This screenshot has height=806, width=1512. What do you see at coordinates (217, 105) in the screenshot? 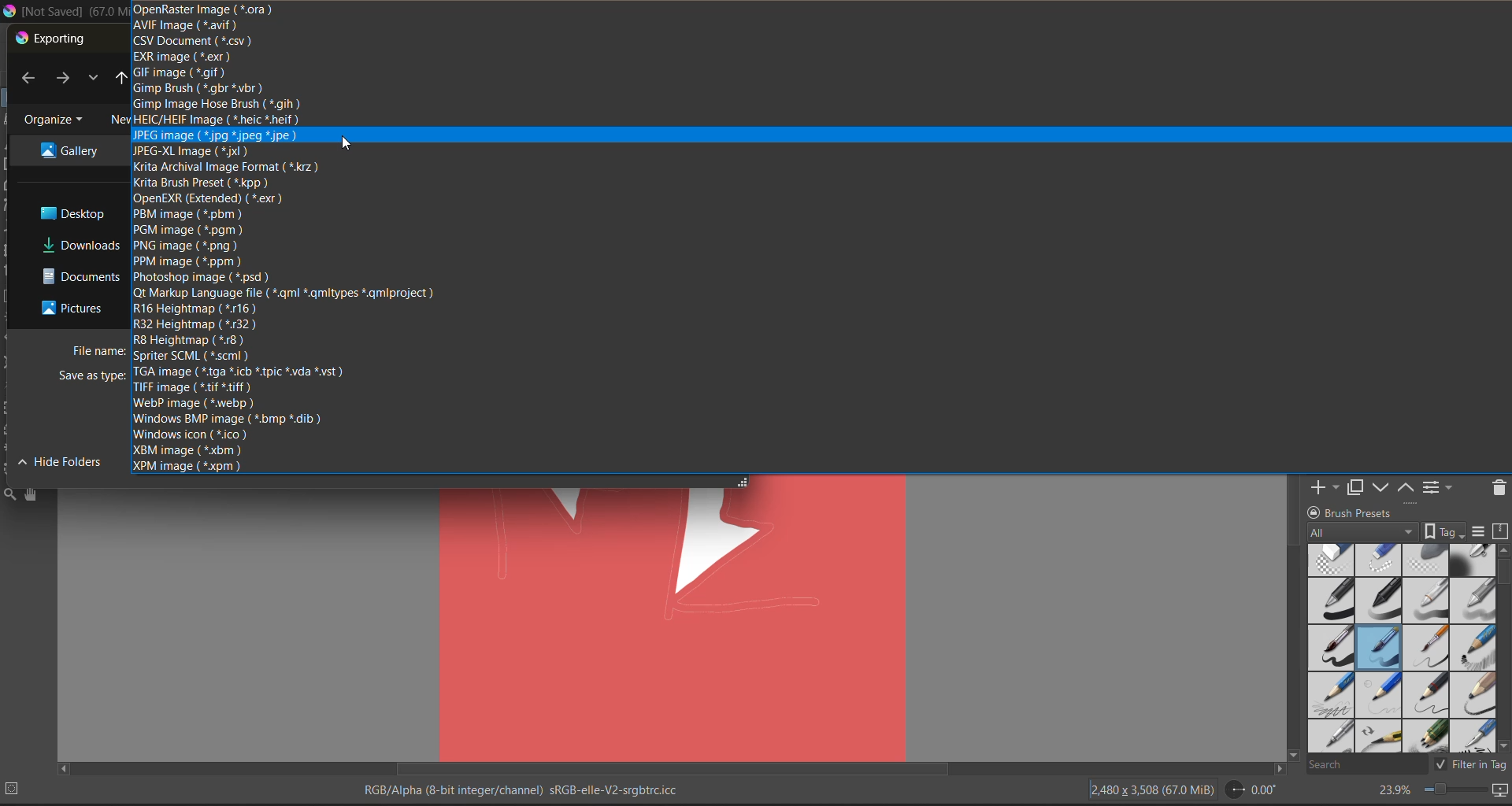
I see `gimp image hose brush` at bounding box center [217, 105].